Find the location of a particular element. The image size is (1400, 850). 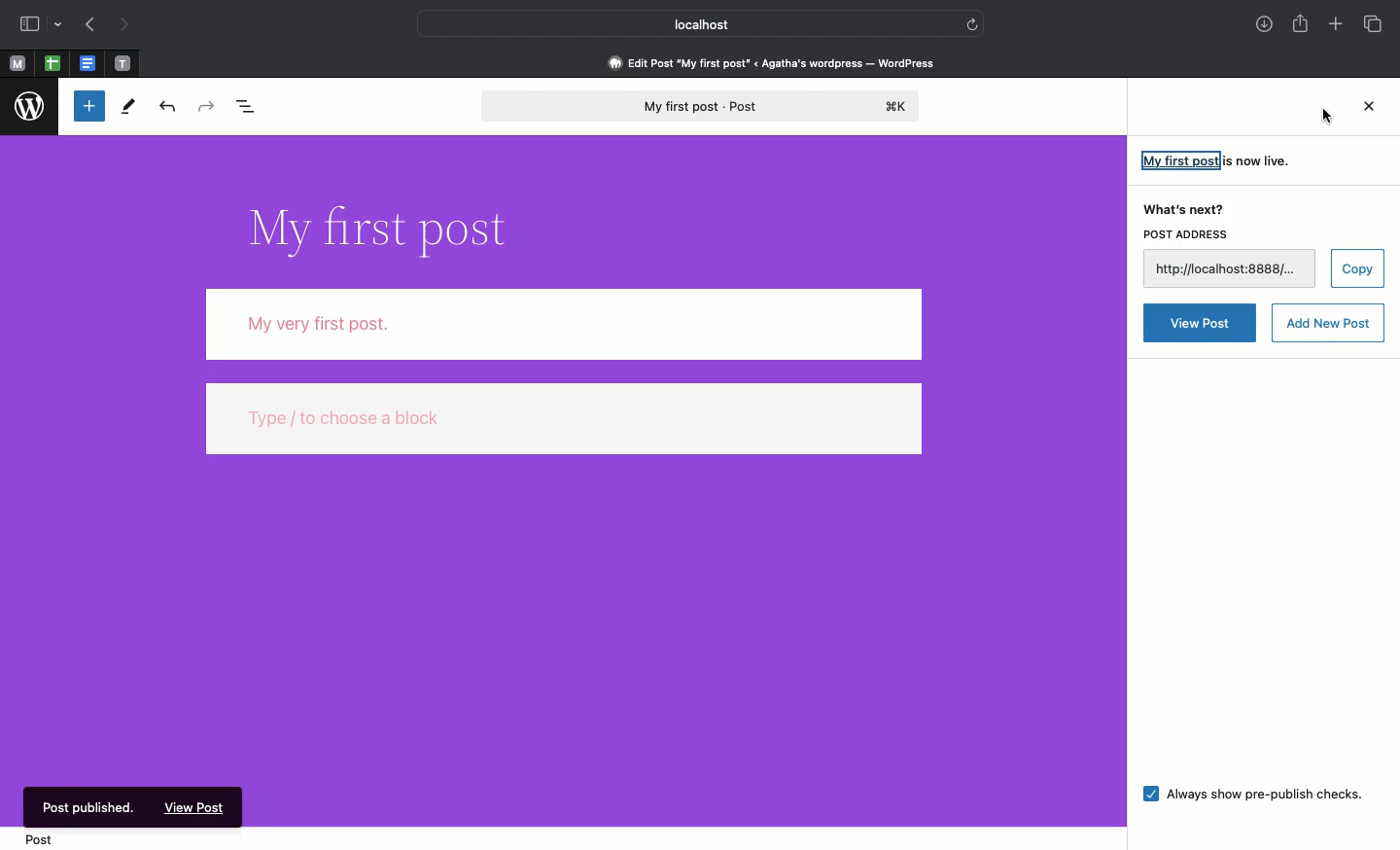

Post address is located at coordinates (1189, 235).